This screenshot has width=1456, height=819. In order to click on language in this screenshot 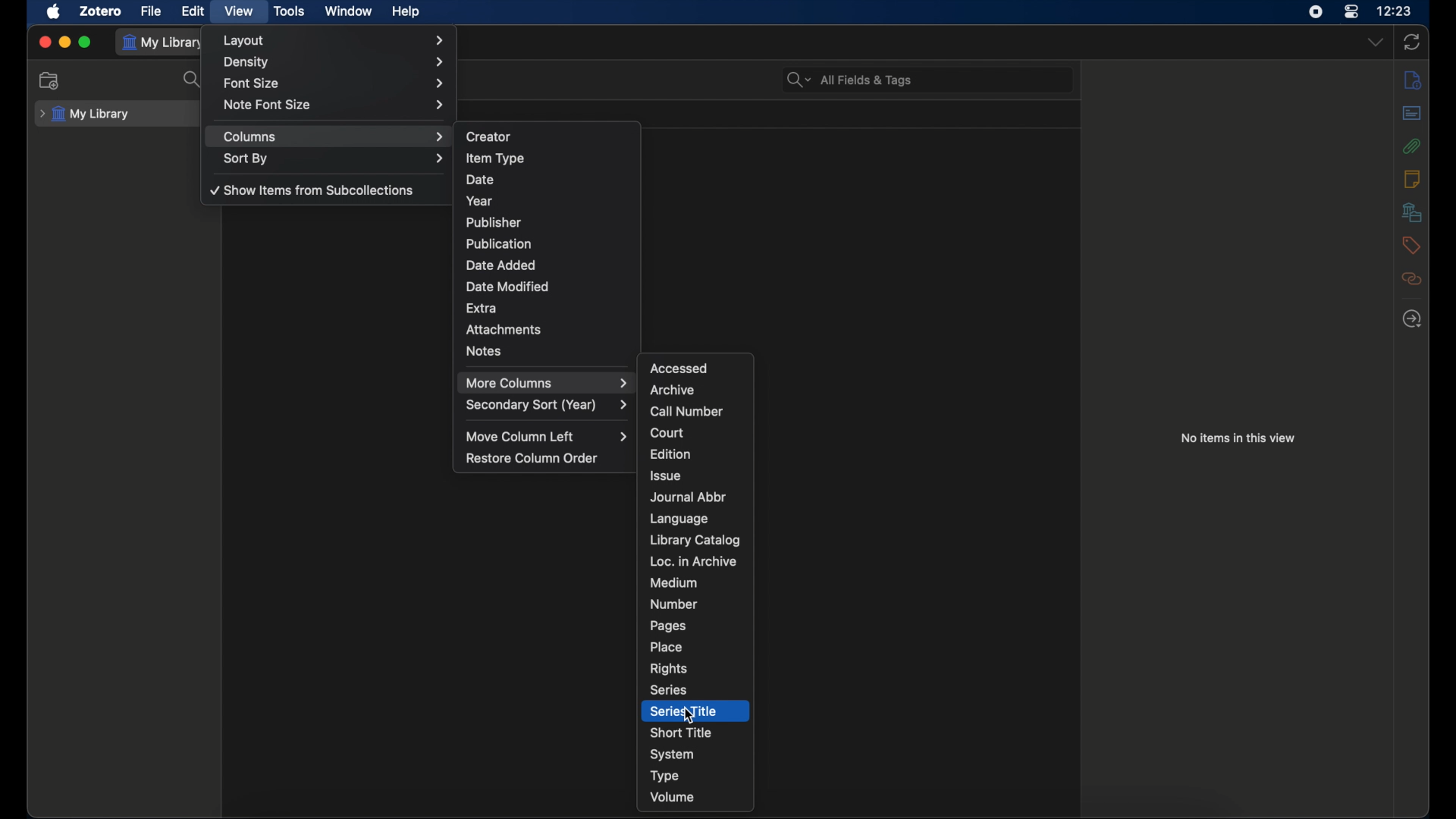, I will do `click(679, 519)`.